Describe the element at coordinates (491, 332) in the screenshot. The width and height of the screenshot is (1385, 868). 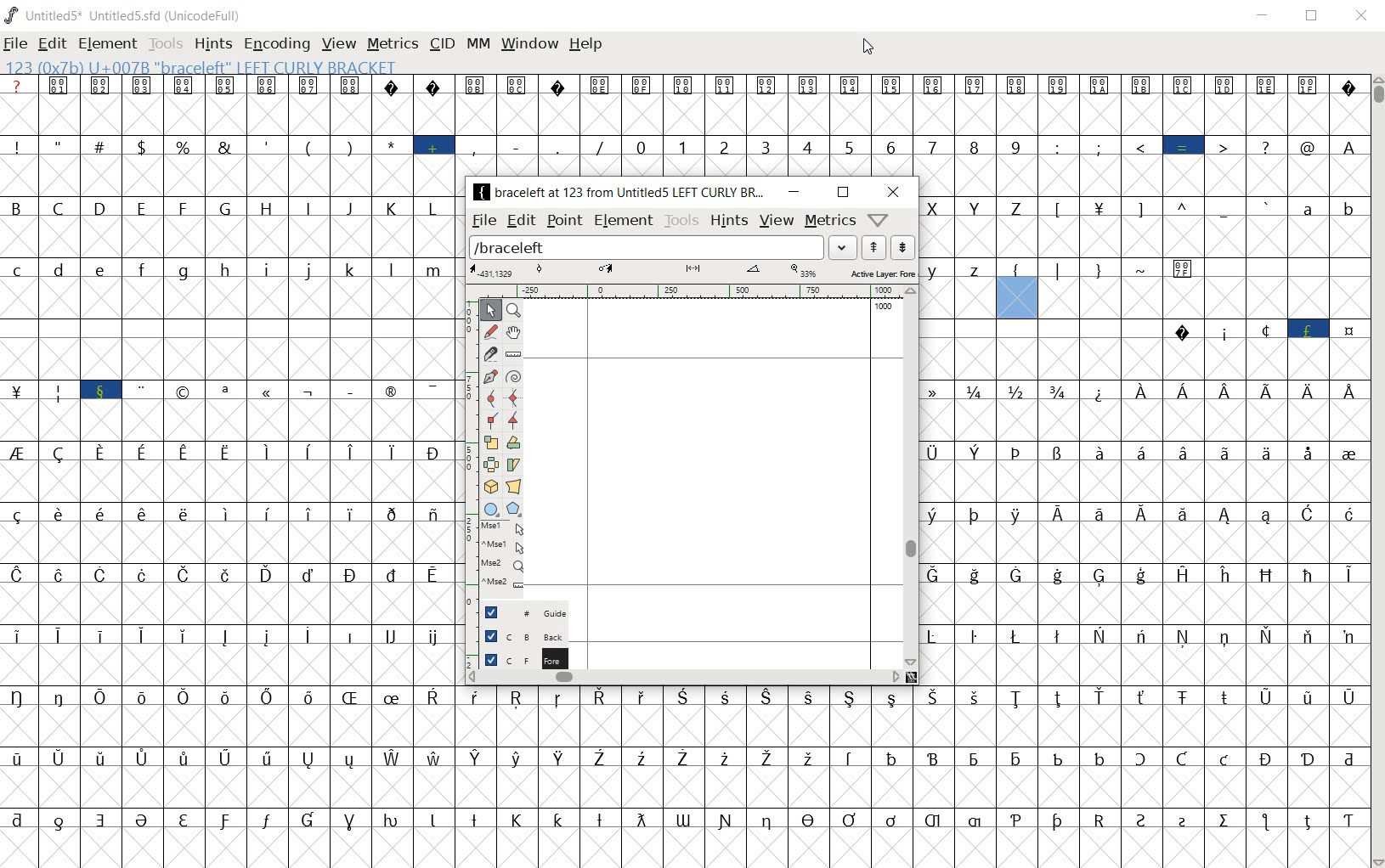
I see `draw a freehand curve` at that location.